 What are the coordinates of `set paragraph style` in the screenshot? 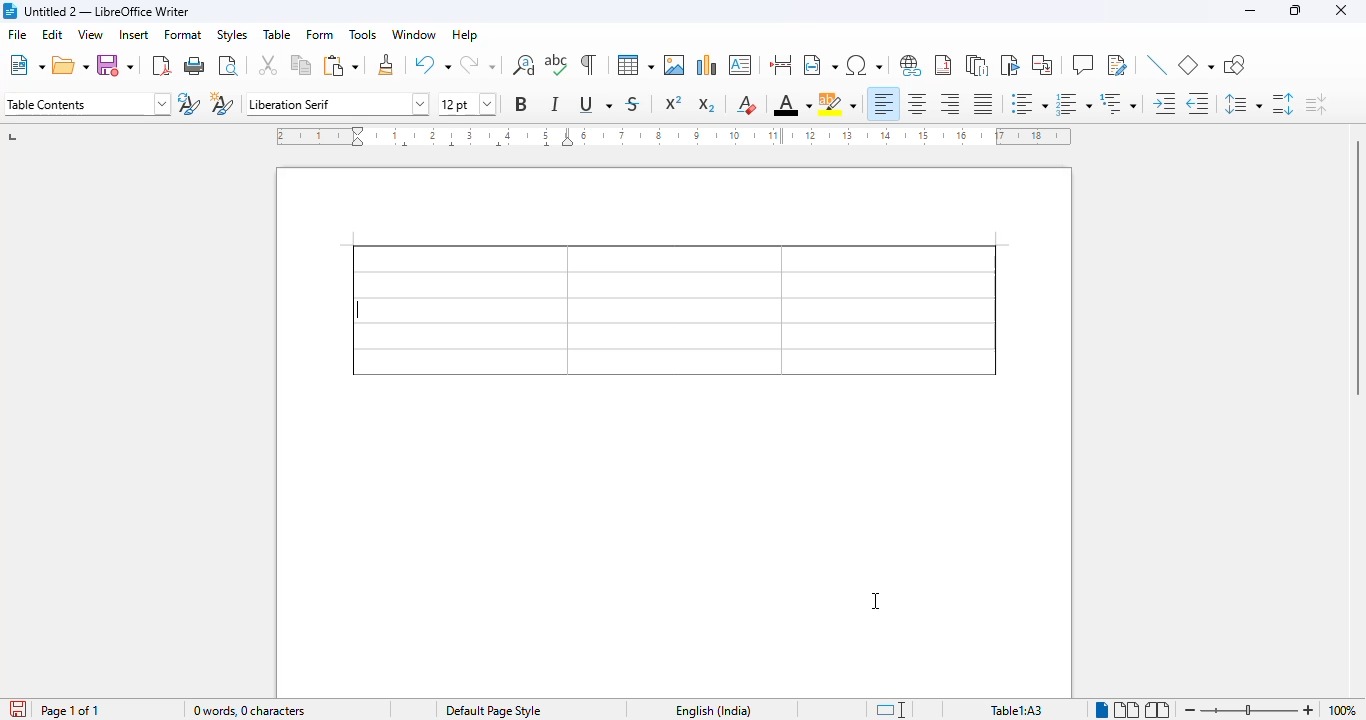 It's located at (87, 104).